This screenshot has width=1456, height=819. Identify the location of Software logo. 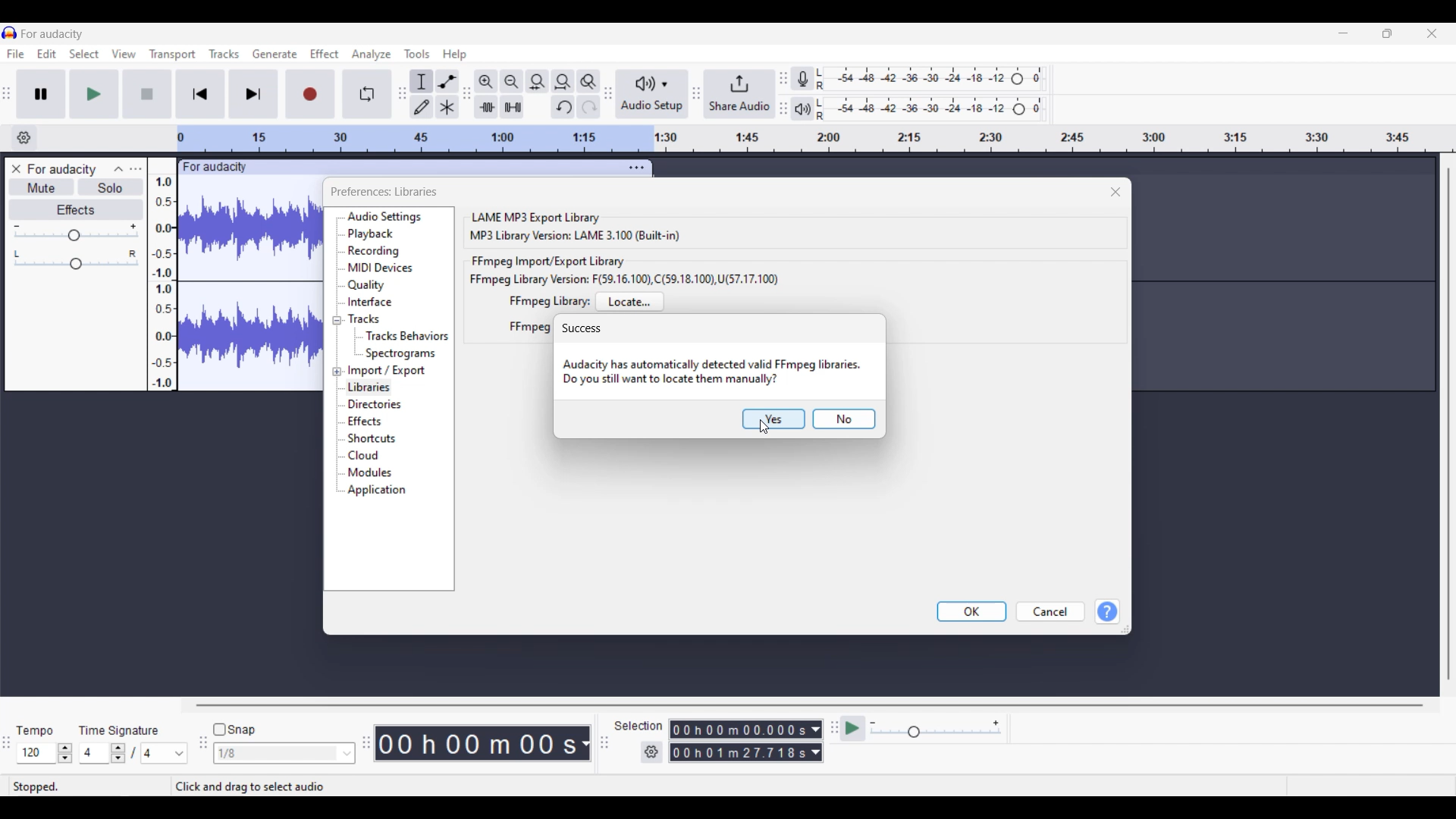
(10, 33).